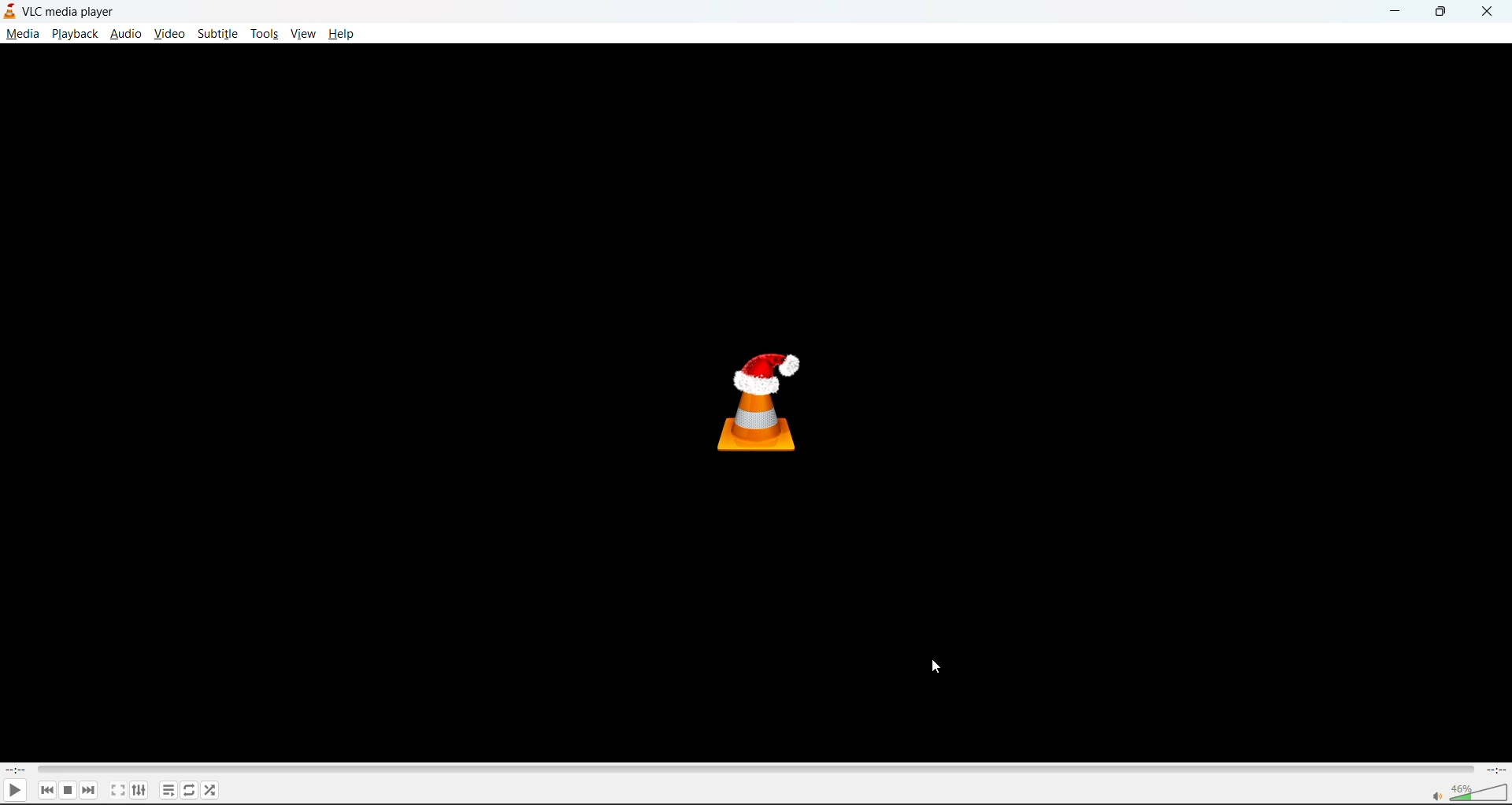  Describe the element at coordinates (217, 33) in the screenshot. I see `suntitle` at that location.